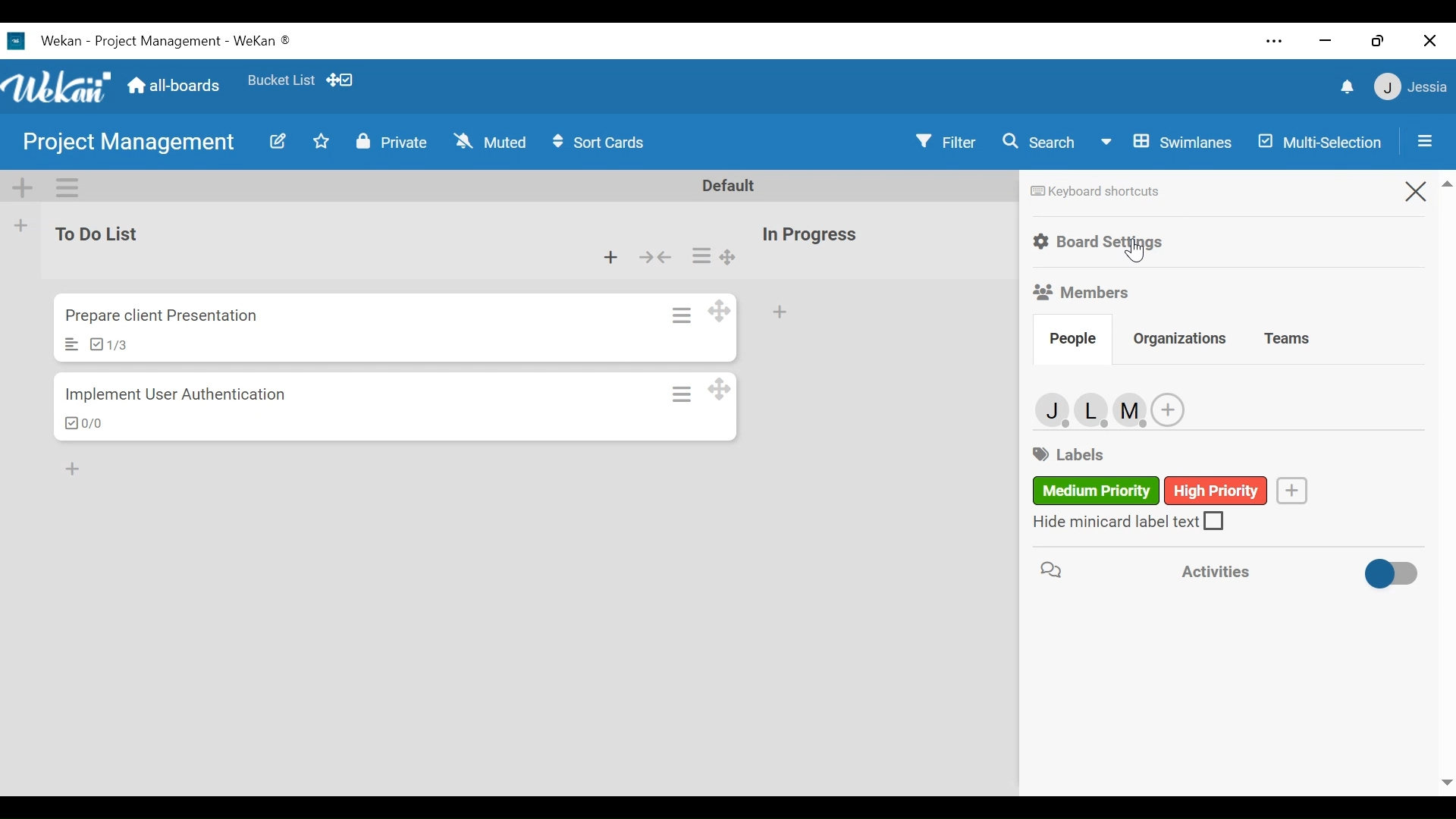 The height and width of the screenshot is (819, 1456). Describe the element at coordinates (1137, 526) in the screenshot. I see `(un)check Hide minicard label text` at that location.